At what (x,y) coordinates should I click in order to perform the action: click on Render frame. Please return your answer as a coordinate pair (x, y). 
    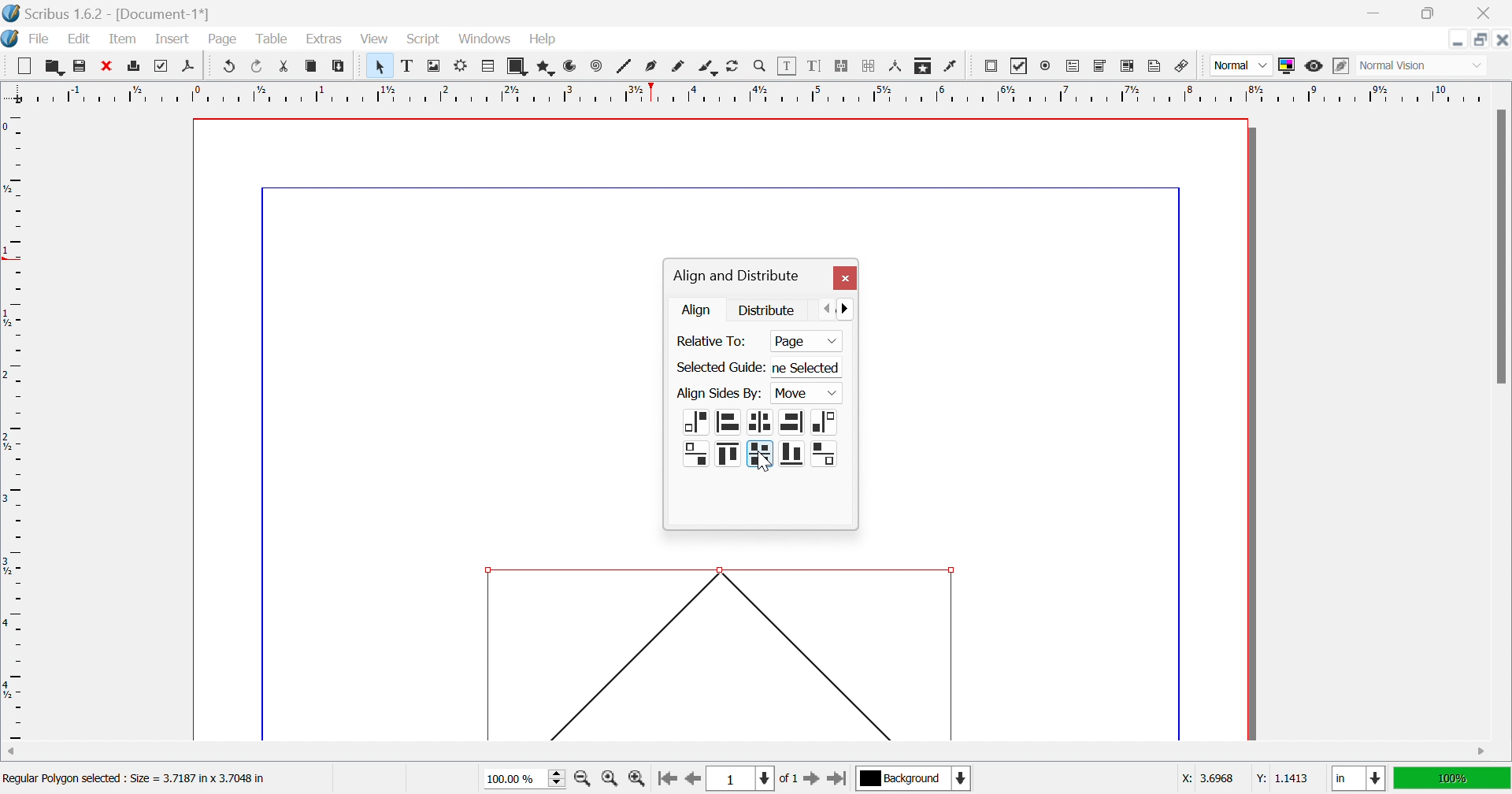
    Looking at the image, I should click on (461, 65).